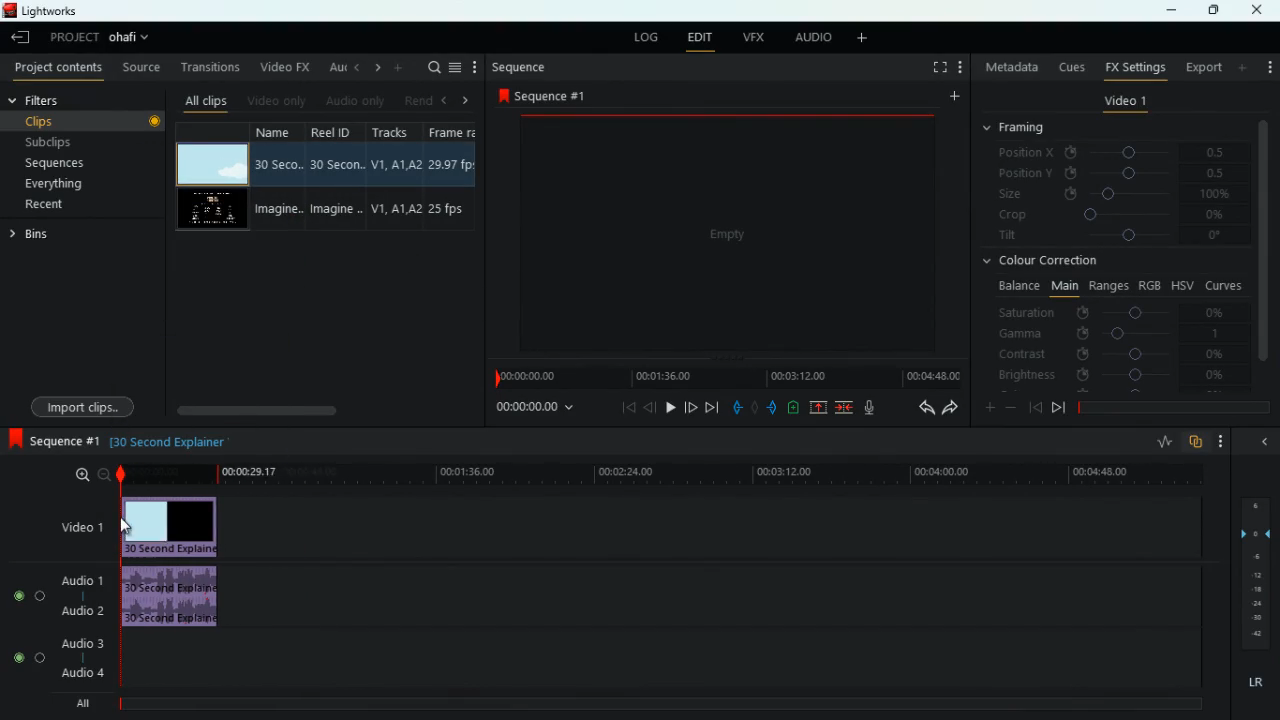 The image size is (1280, 720). What do you see at coordinates (457, 66) in the screenshot?
I see `menu` at bounding box center [457, 66].